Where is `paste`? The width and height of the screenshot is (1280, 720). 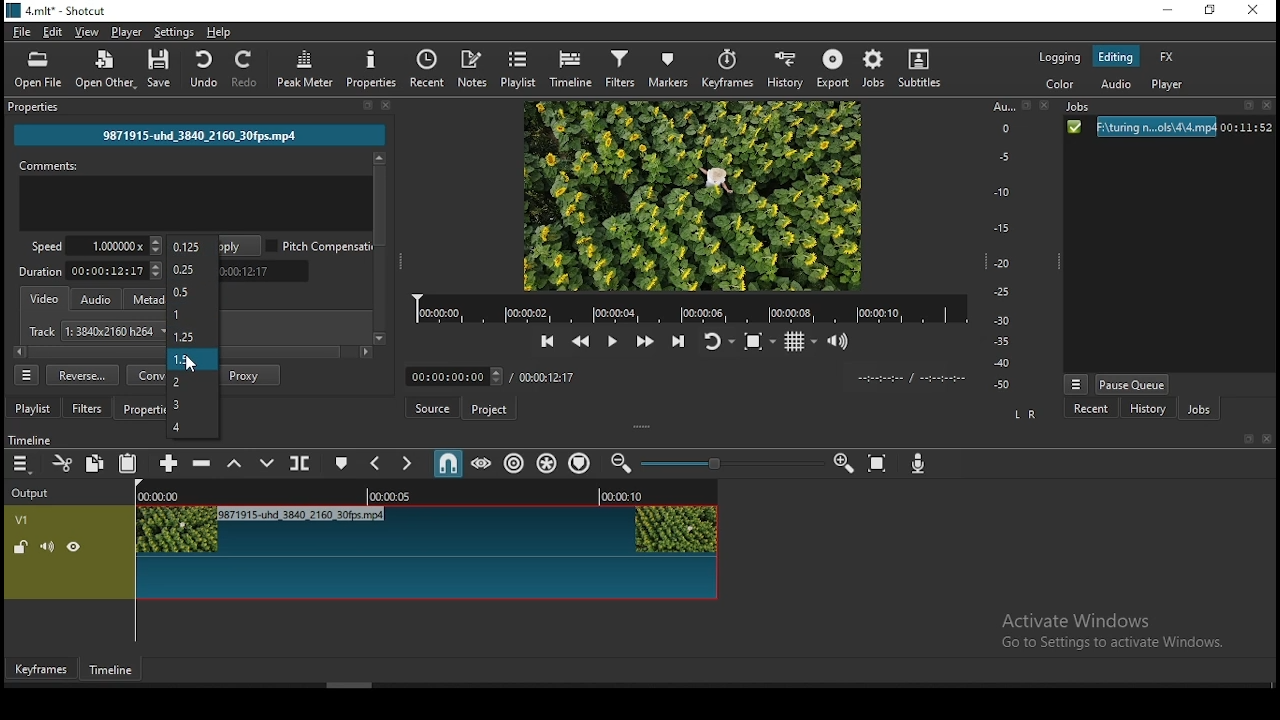
paste is located at coordinates (128, 465).